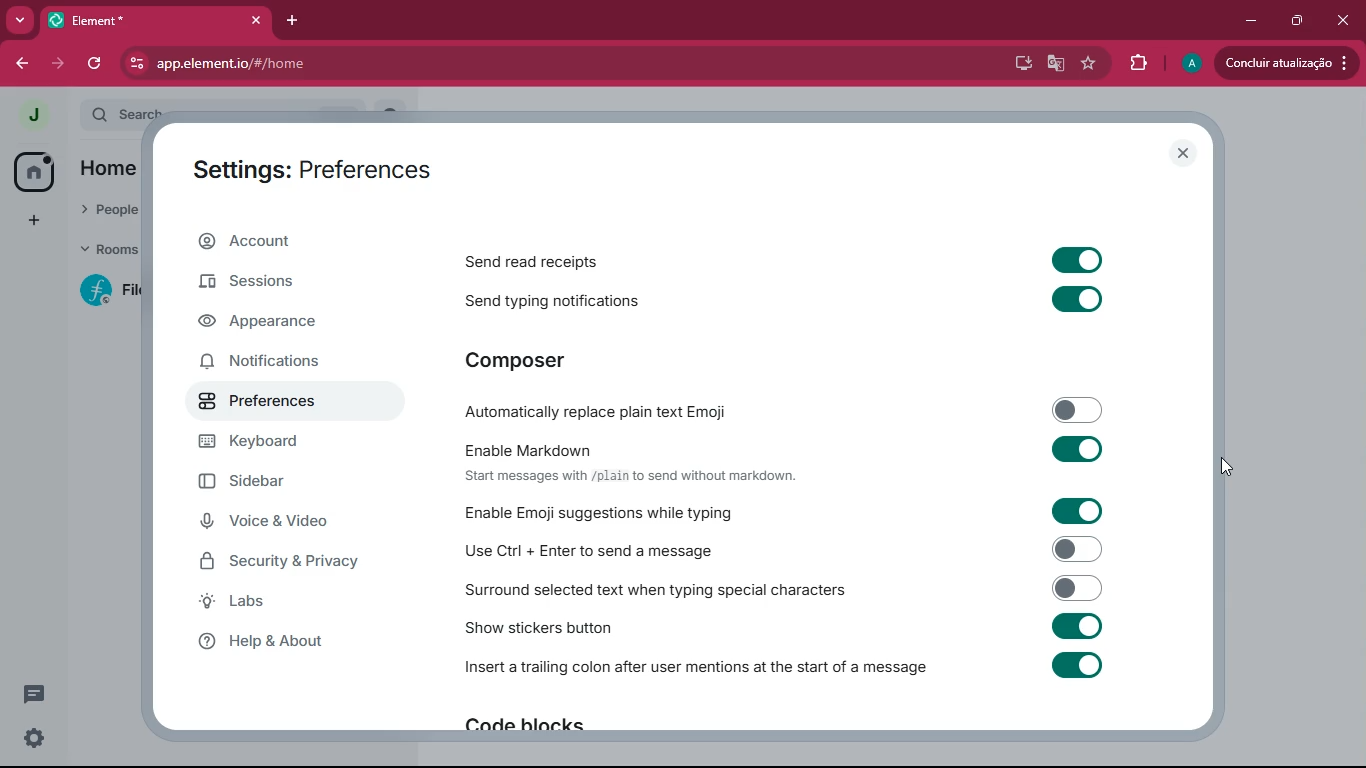 This screenshot has width=1366, height=768. What do you see at coordinates (365, 63) in the screenshot?
I see `app.element.io/#/home` at bounding box center [365, 63].